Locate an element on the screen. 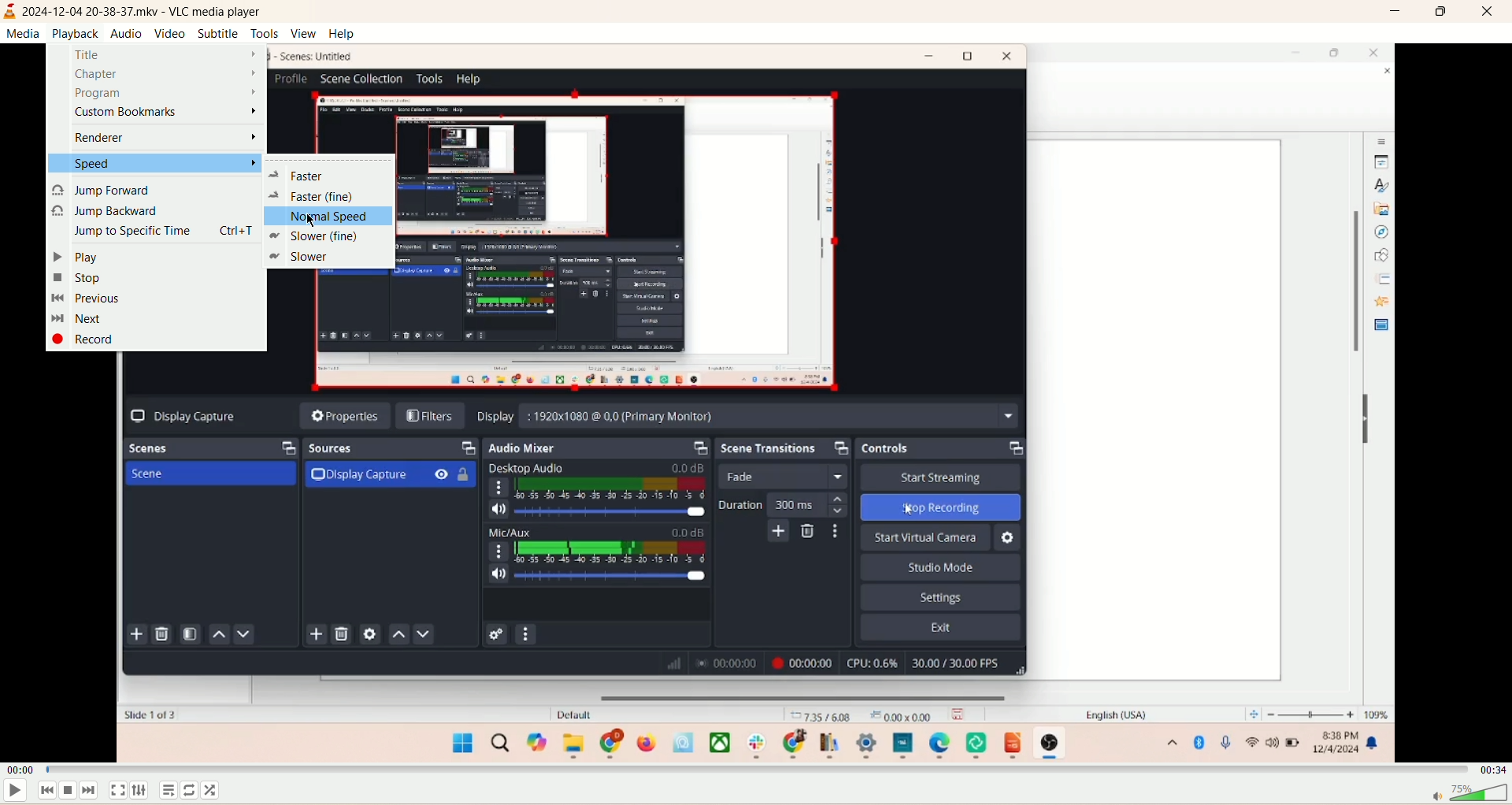  fullscreen is located at coordinates (119, 790).